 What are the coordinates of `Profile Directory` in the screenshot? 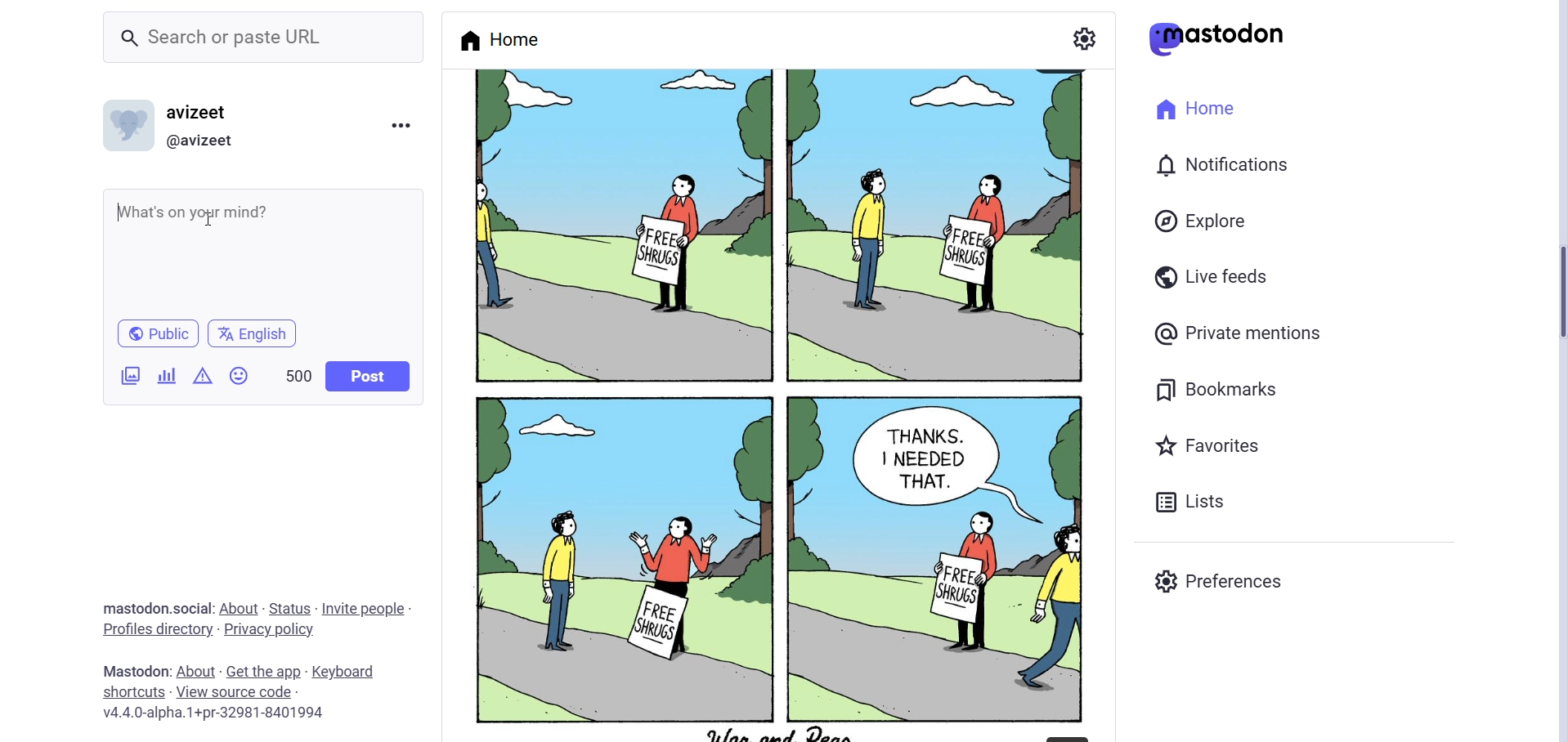 It's located at (155, 628).